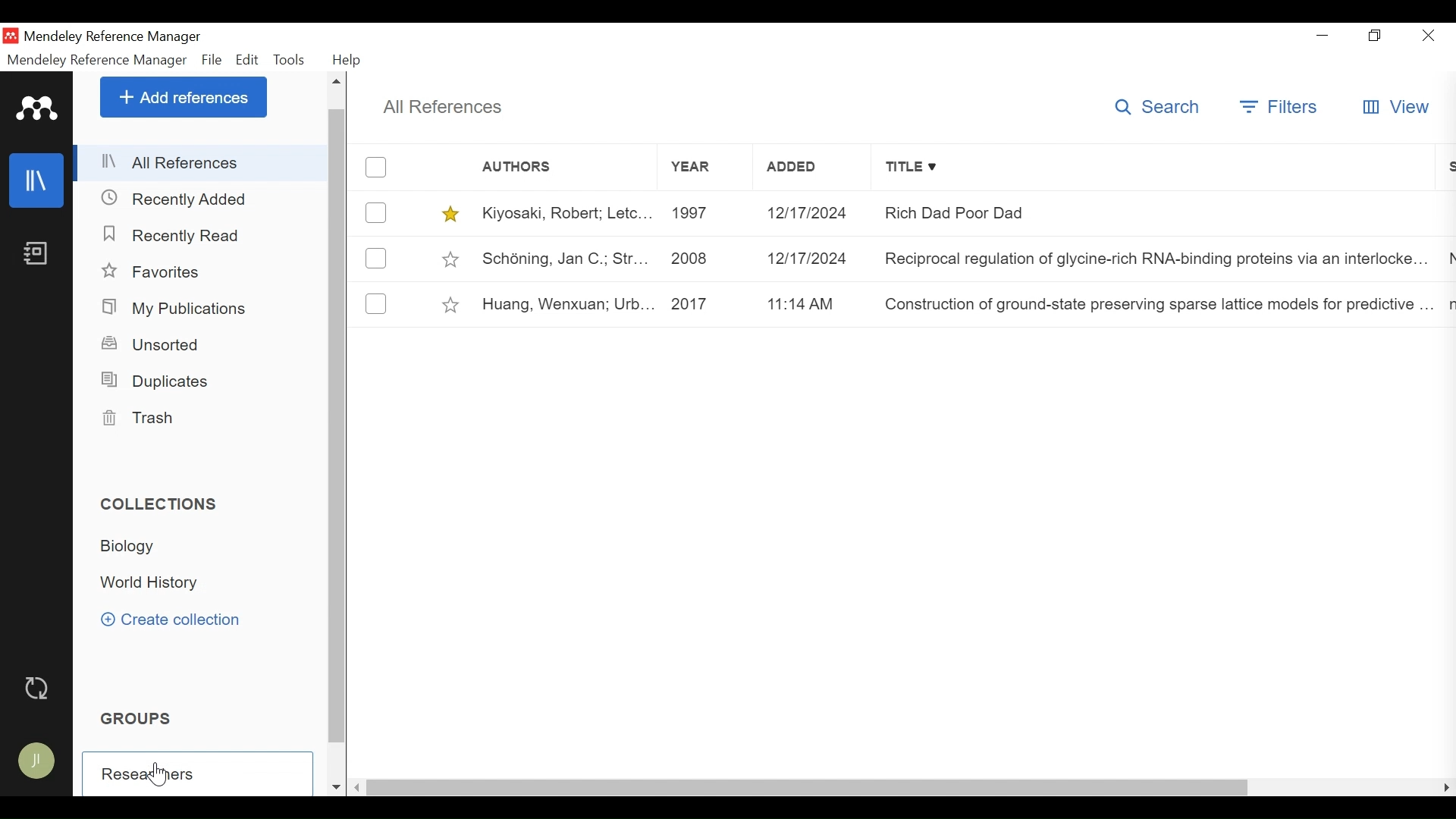 The width and height of the screenshot is (1456, 819). What do you see at coordinates (158, 502) in the screenshot?
I see `Collection` at bounding box center [158, 502].